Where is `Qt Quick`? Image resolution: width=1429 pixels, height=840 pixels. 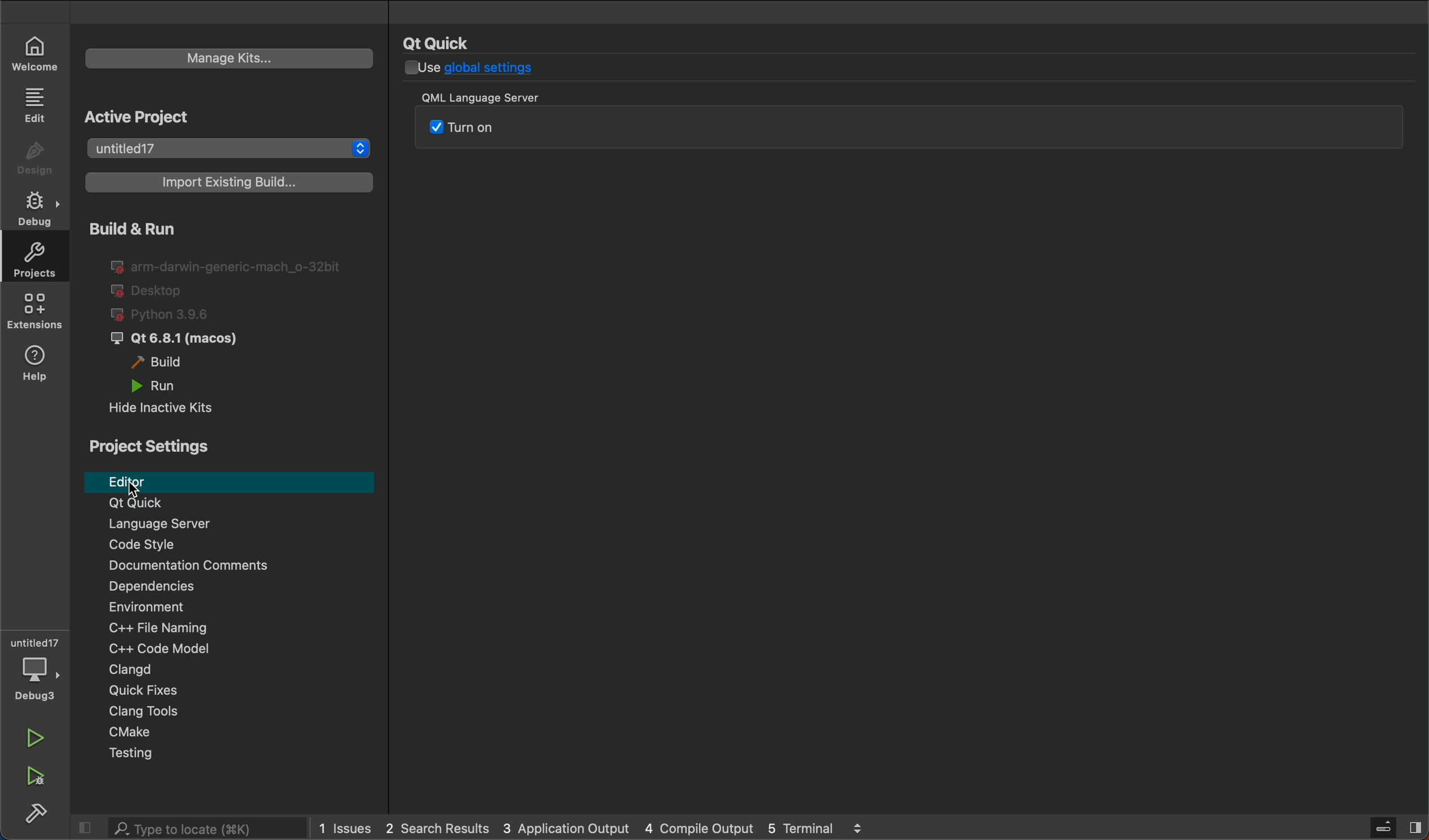 Qt Quick is located at coordinates (230, 504).